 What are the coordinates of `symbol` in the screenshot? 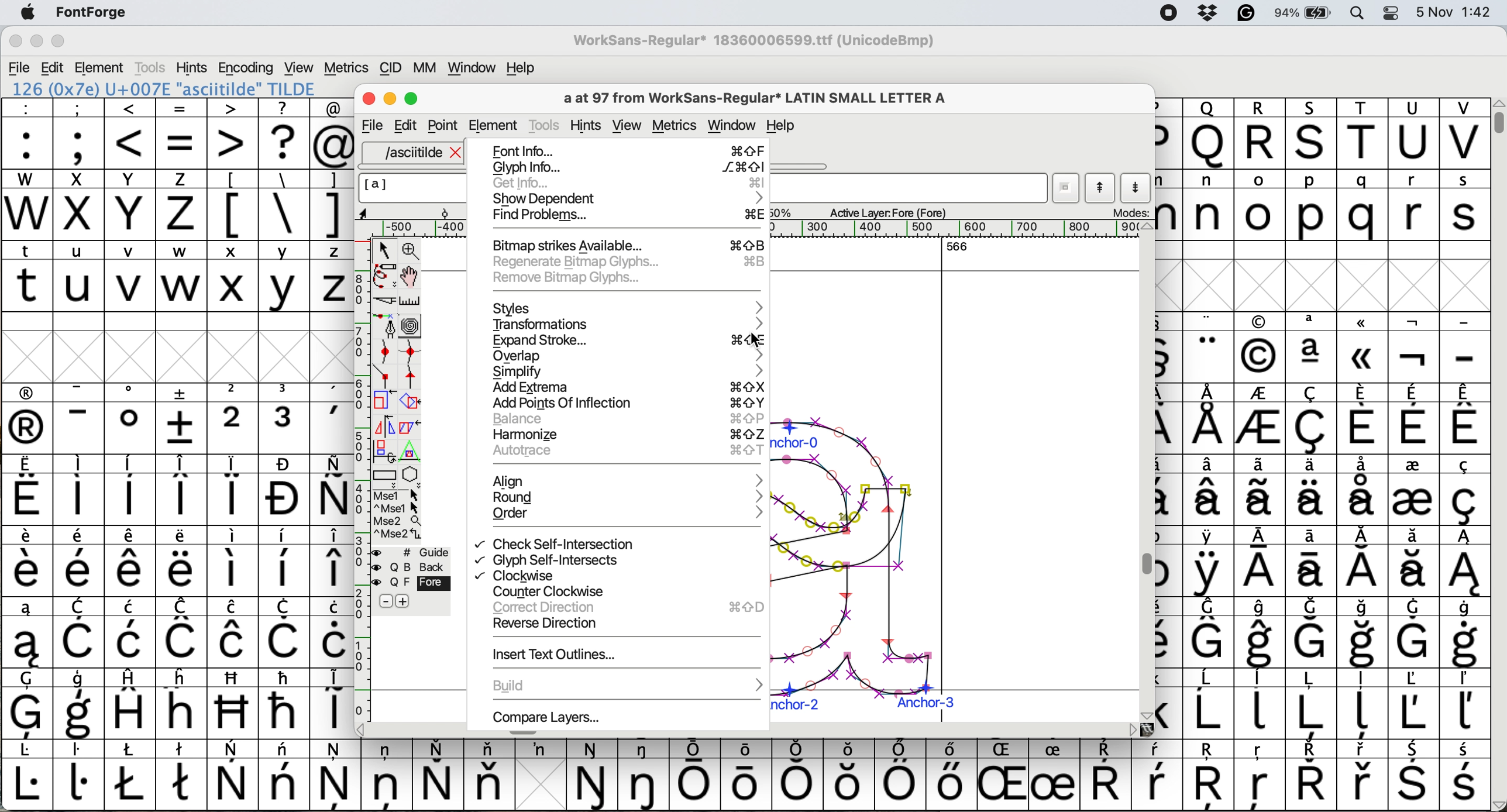 It's located at (1365, 634).